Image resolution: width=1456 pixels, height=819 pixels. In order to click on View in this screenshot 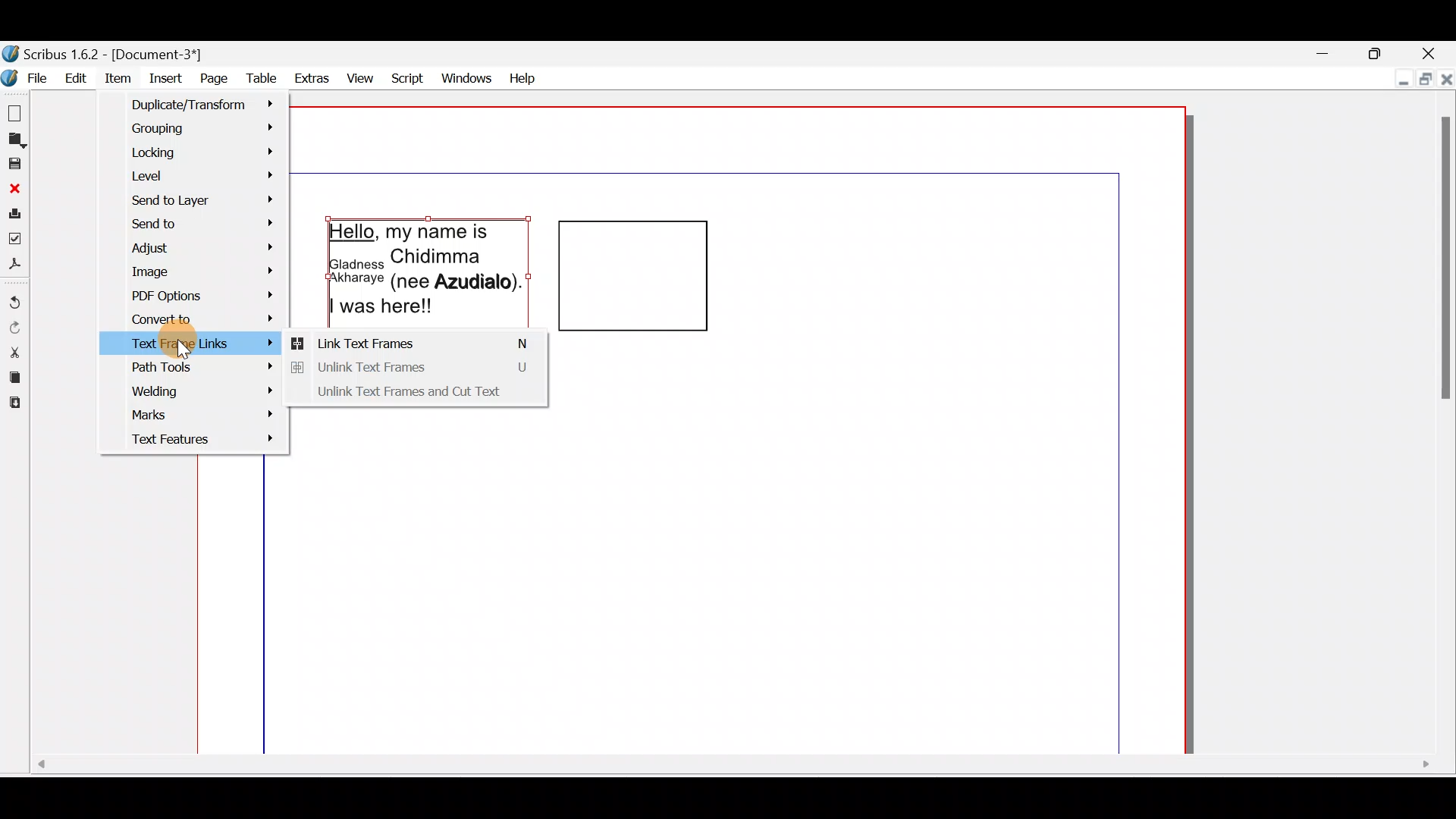, I will do `click(362, 76)`.